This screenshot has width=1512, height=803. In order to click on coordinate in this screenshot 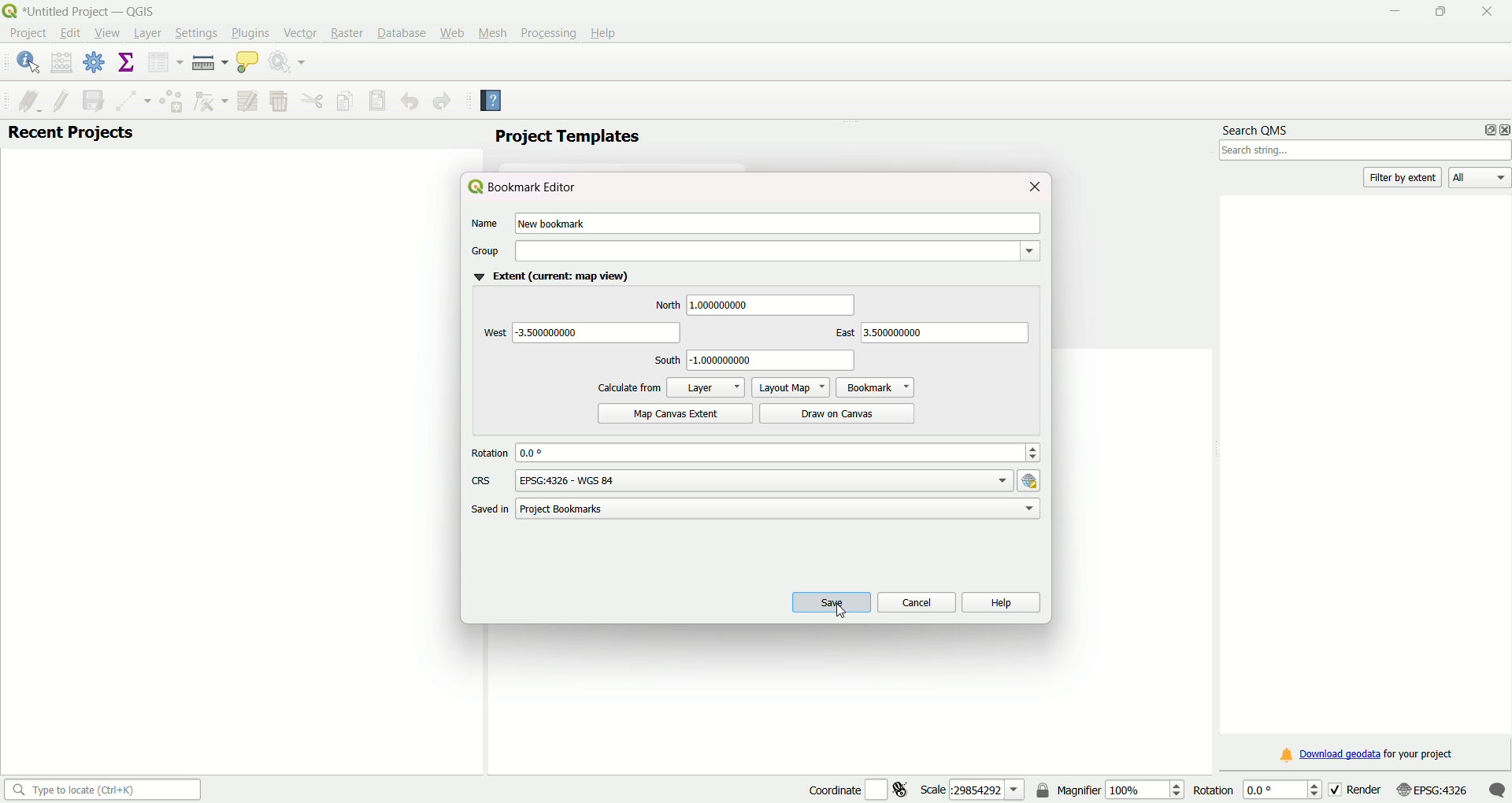, I will do `click(832, 788)`.